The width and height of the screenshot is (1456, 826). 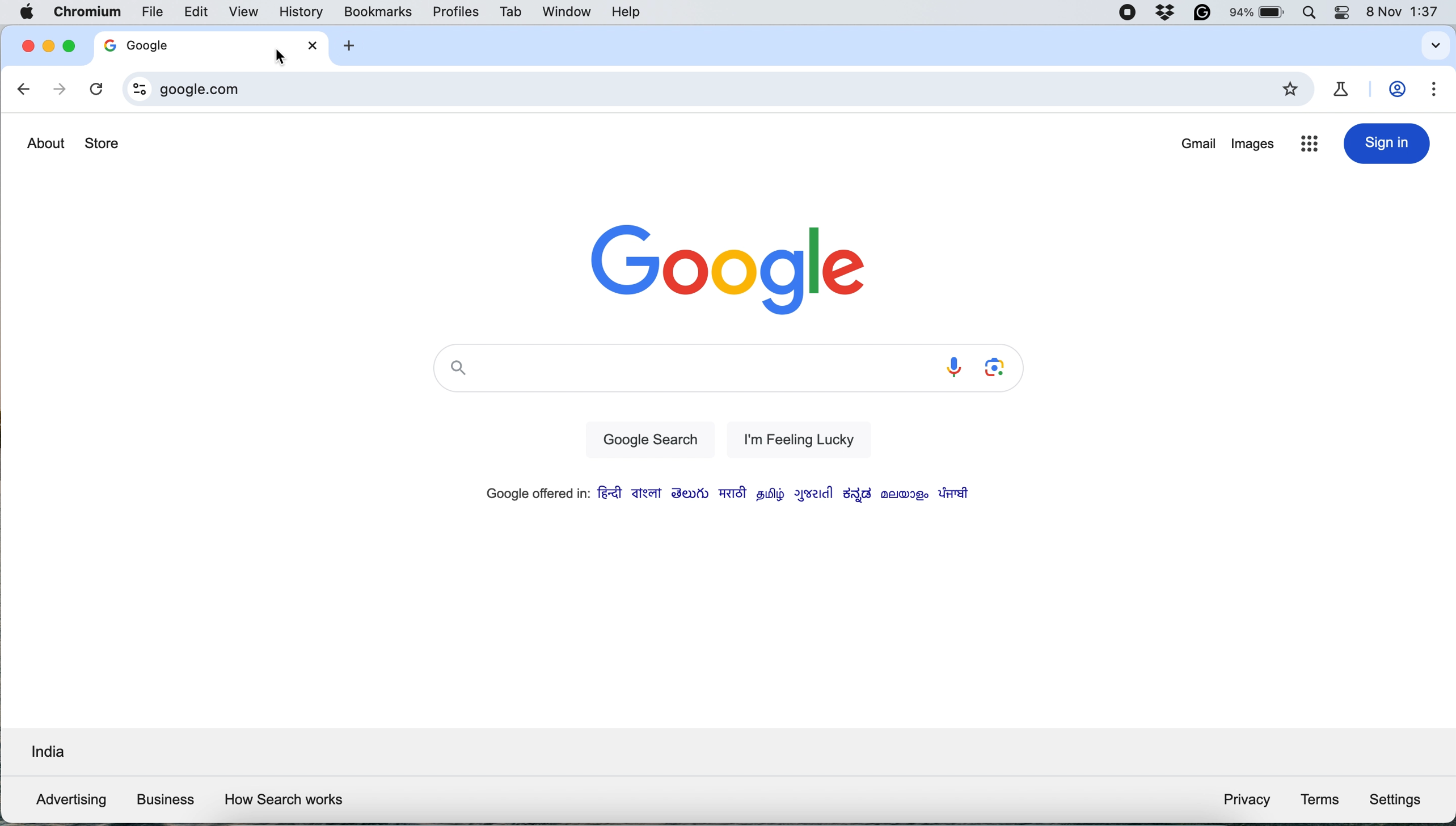 I want to click on go forward, so click(x=58, y=90).